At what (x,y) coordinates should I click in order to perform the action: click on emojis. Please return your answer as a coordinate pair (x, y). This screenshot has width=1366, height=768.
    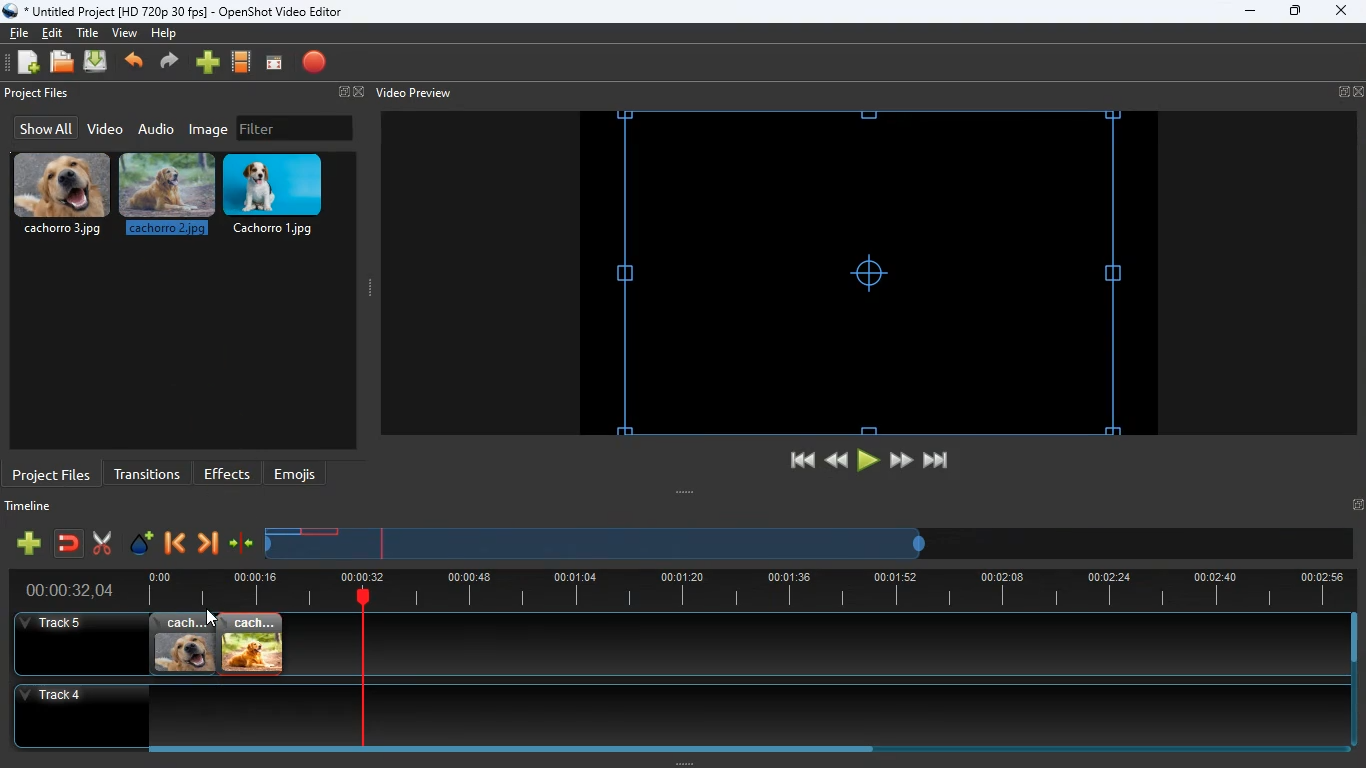
    Looking at the image, I should click on (300, 474).